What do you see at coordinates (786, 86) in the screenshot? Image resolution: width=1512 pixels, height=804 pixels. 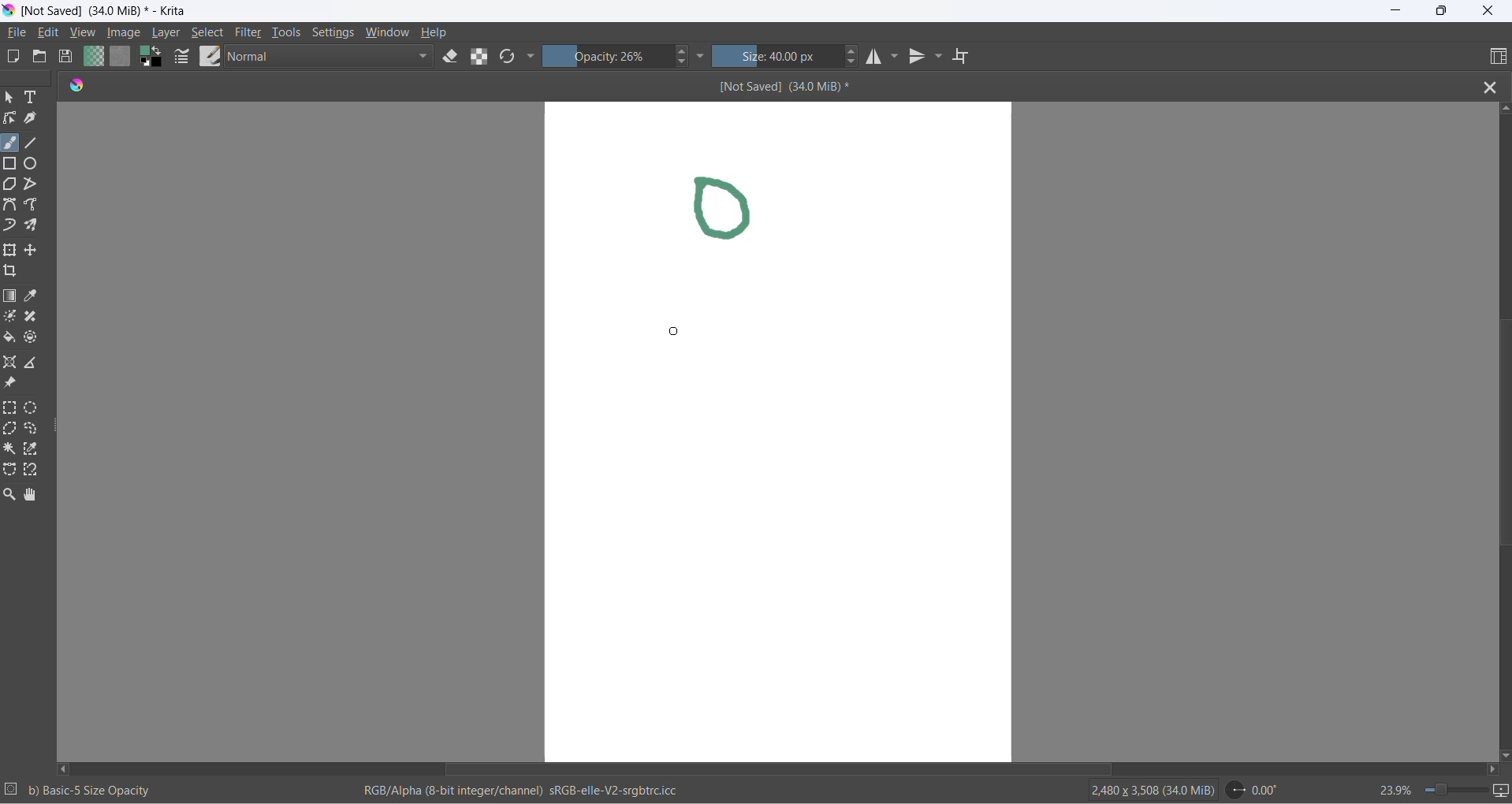 I see `[Not Saved] (340 MiB)*` at bounding box center [786, 86].